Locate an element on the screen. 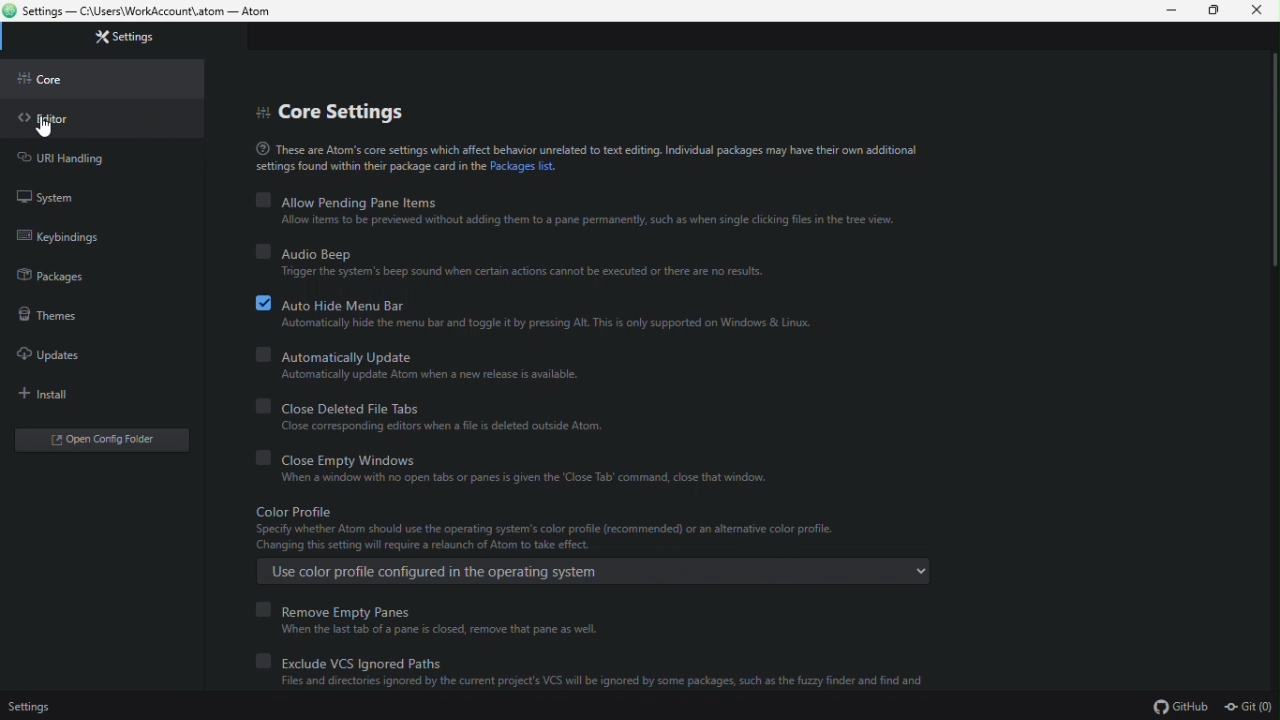  install is located at coordinates (102, 397).